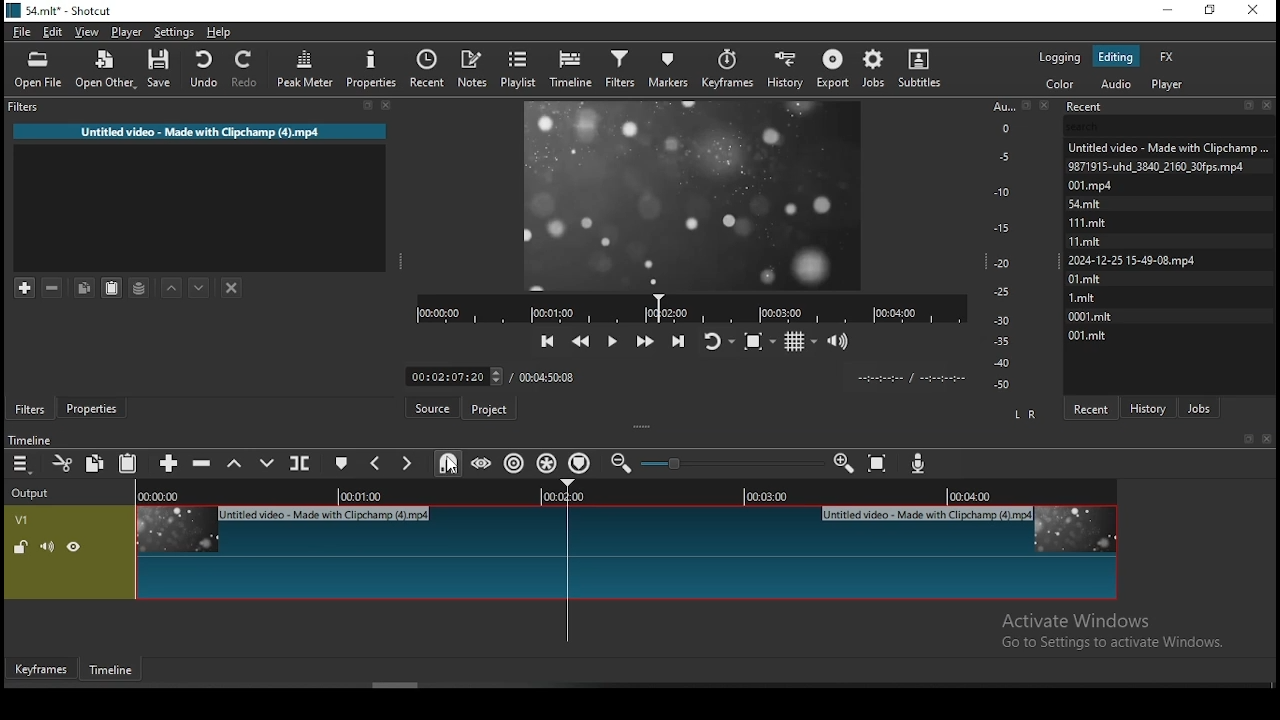 The width and height of the screenshot is (1280, 720). What do you see at coordinates (1170, 82) in the screenshot?
I see `Player` at bounding box center [1170, 82].